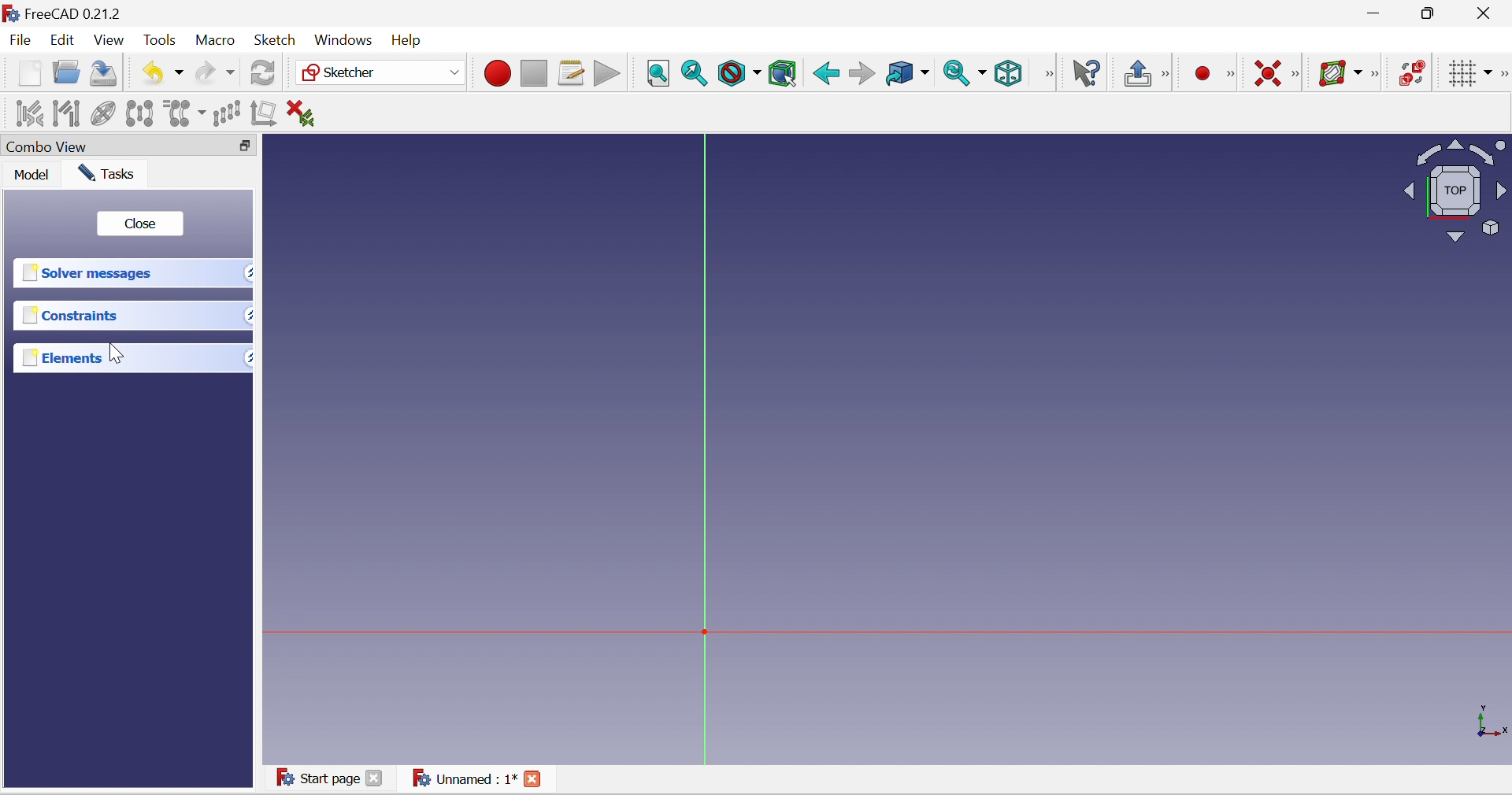  Describe the element at coordinates (248, 146) in the screenshot. I see `Restore down` at that location.